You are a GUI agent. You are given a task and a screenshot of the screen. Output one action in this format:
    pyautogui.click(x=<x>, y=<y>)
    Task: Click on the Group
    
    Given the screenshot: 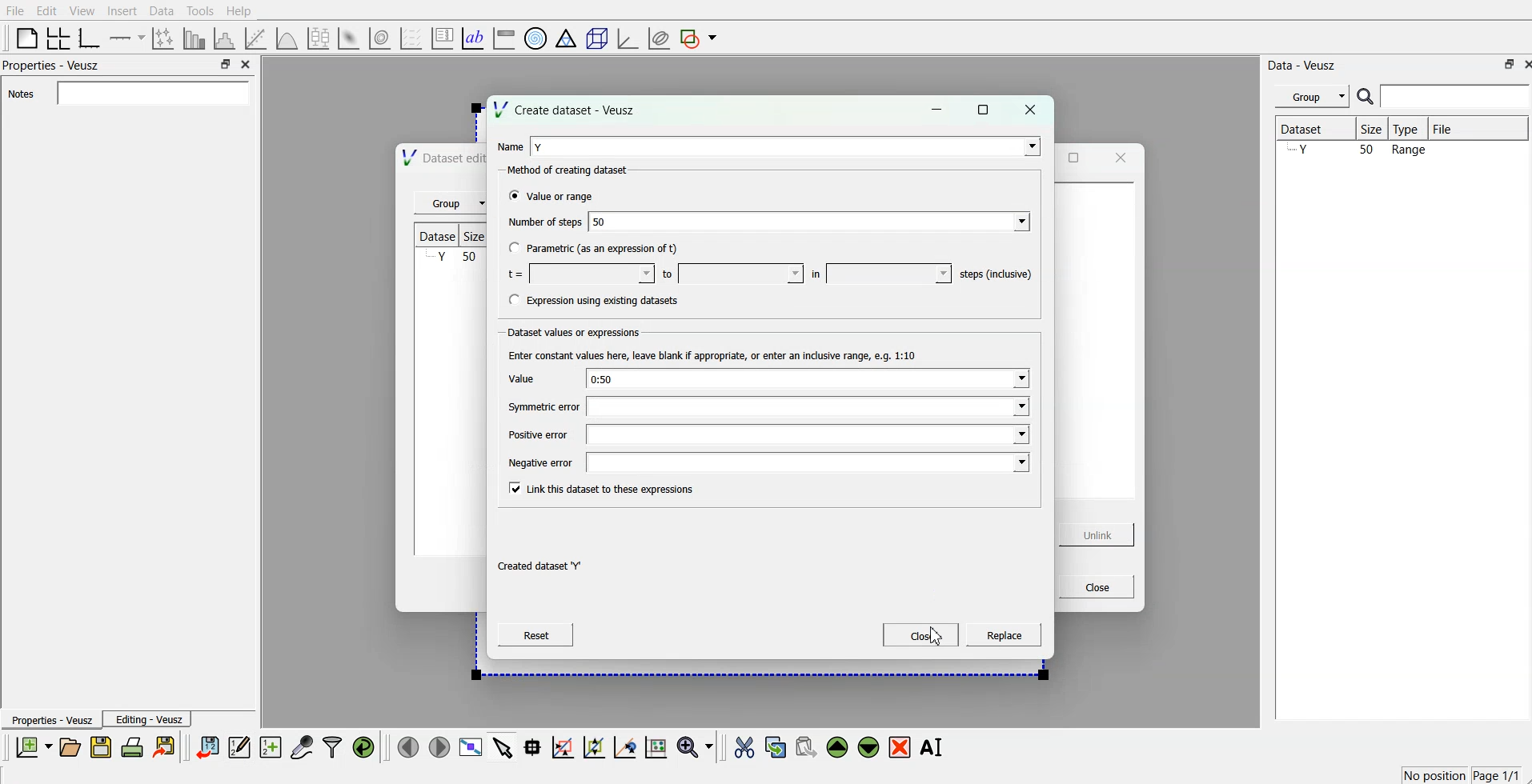 What is the action you would take?
    pyautogui.click(x=452, y=203)
    